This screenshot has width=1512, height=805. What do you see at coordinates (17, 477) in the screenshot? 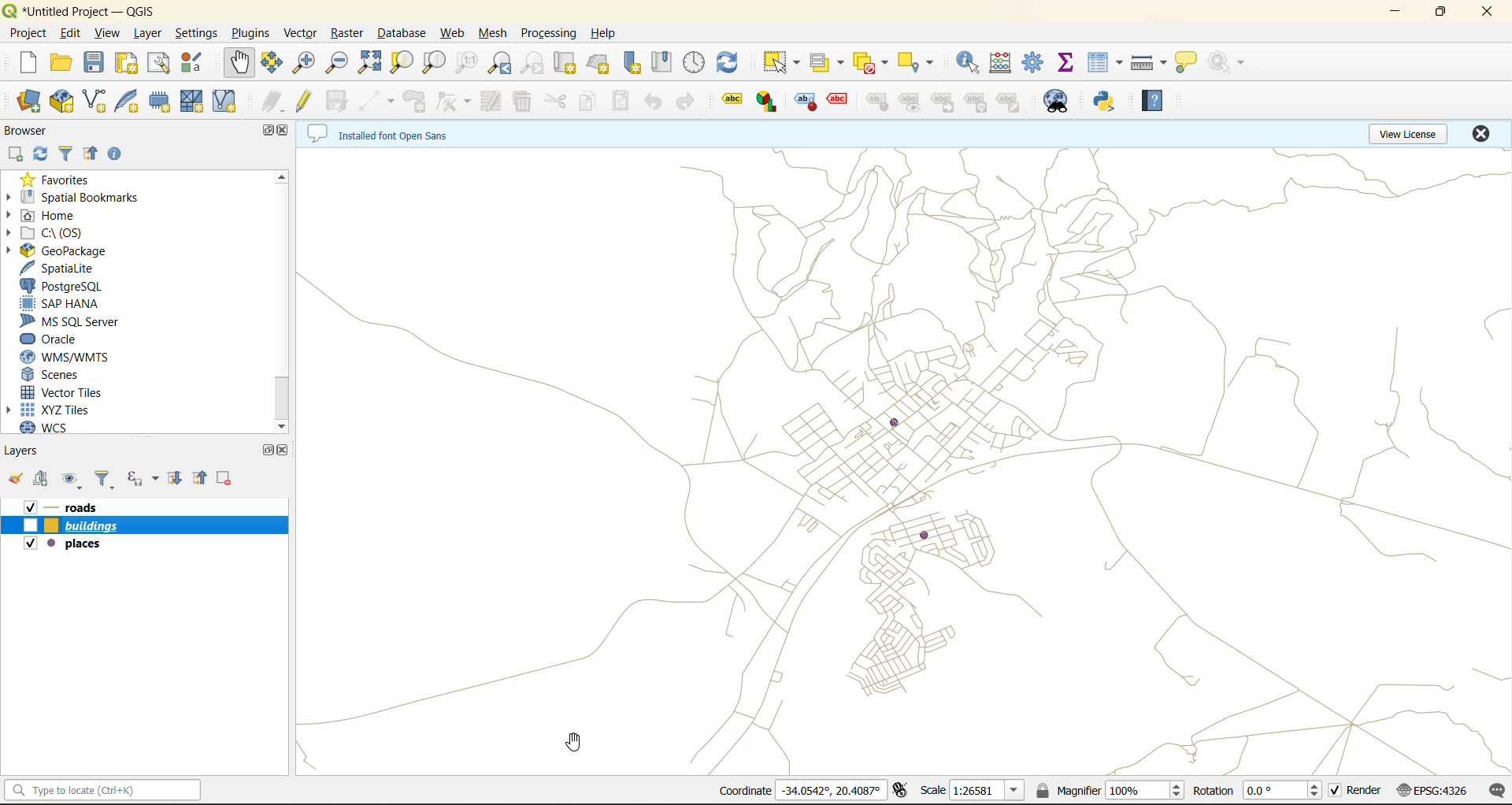
I see `open` at bounding box center [17, 477].